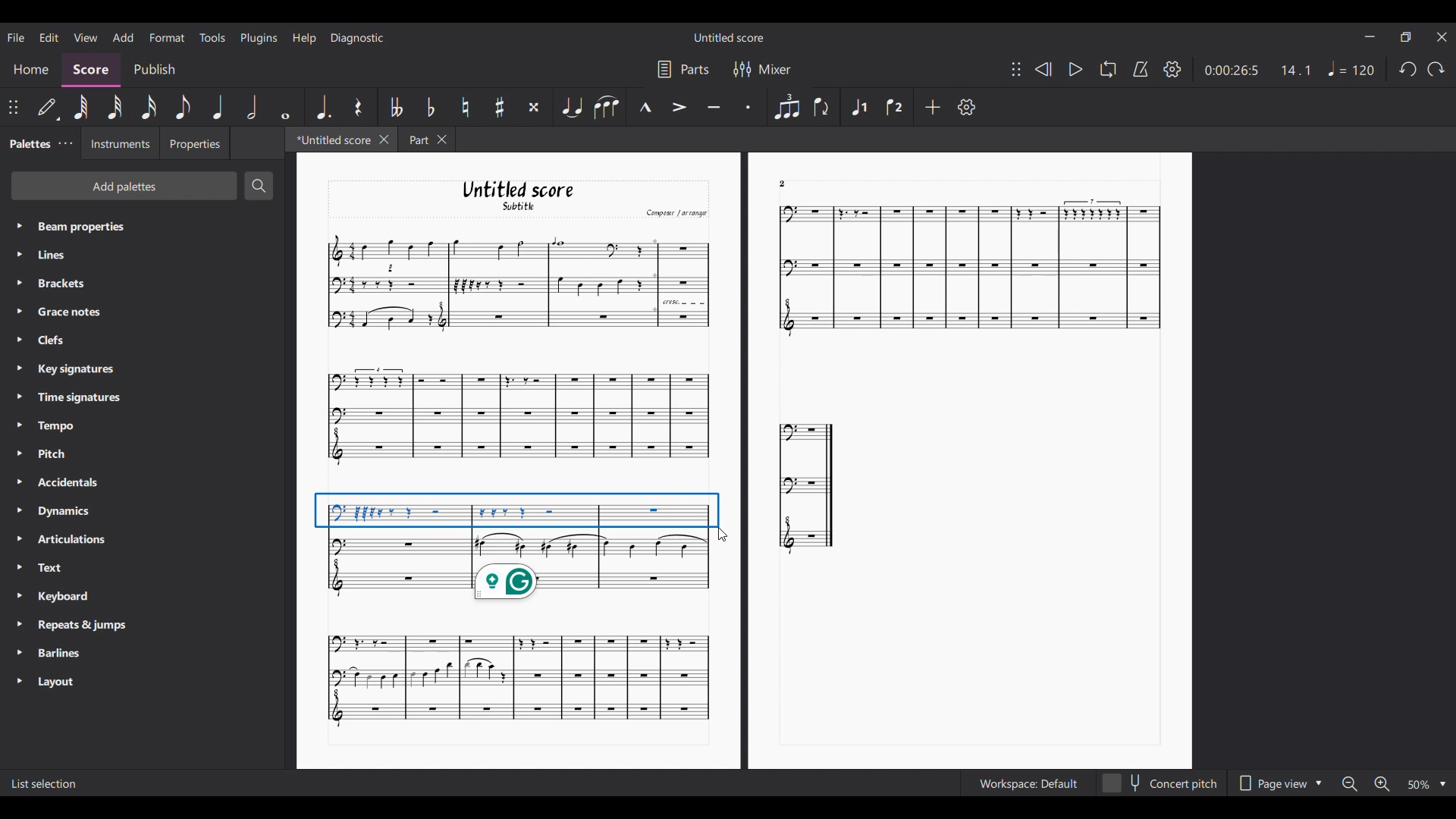 The width and height of the screenshot is (1456, 819). What do you see at coordinates (1426, 784) in the screenshot?
I see `50 %` at bounding box center [1426, 784].